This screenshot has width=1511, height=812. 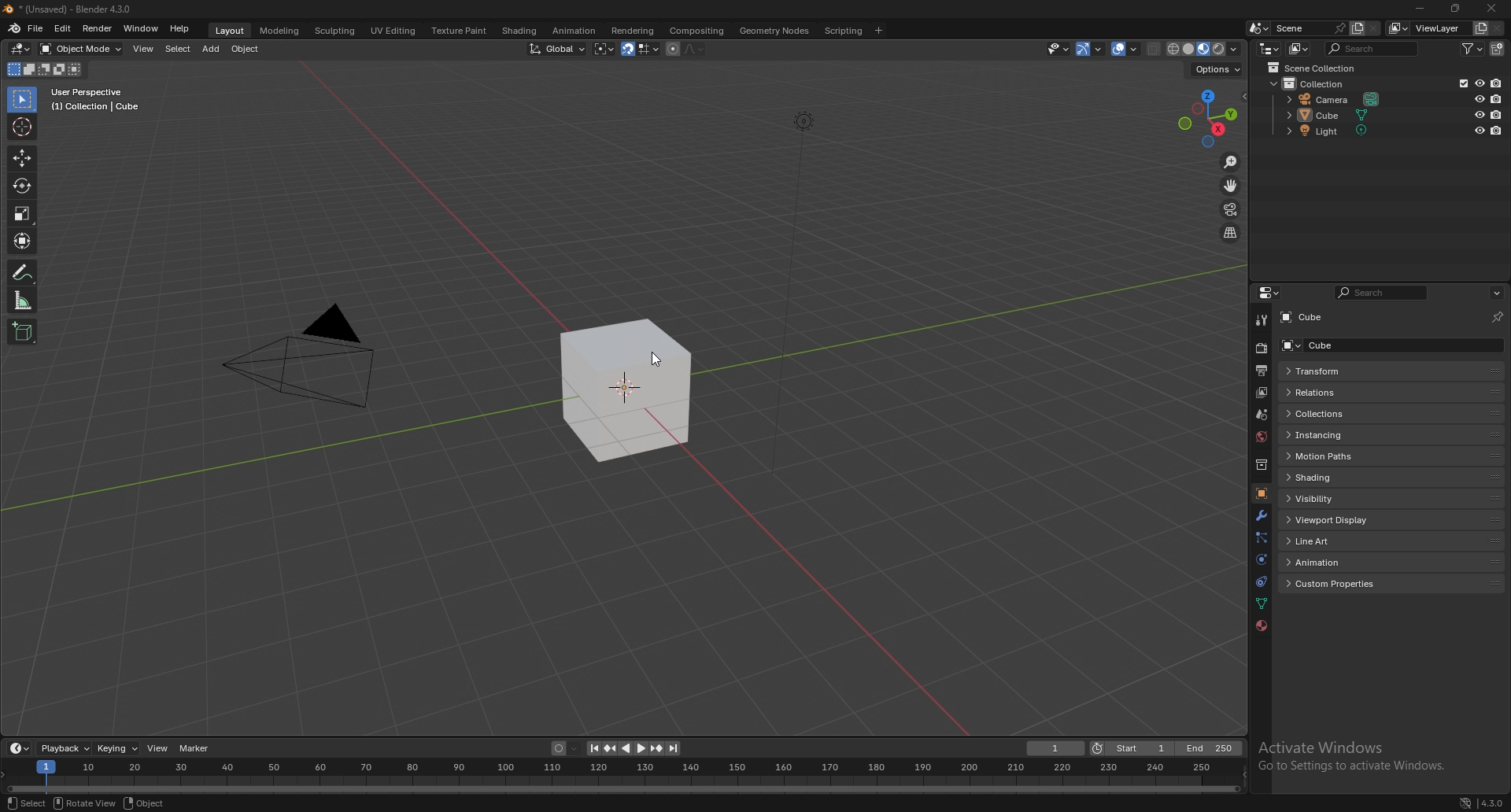 What do you see at coordinates (696, 31) in the screenshot?
I see `compositing` at bounding box center [696, 31].